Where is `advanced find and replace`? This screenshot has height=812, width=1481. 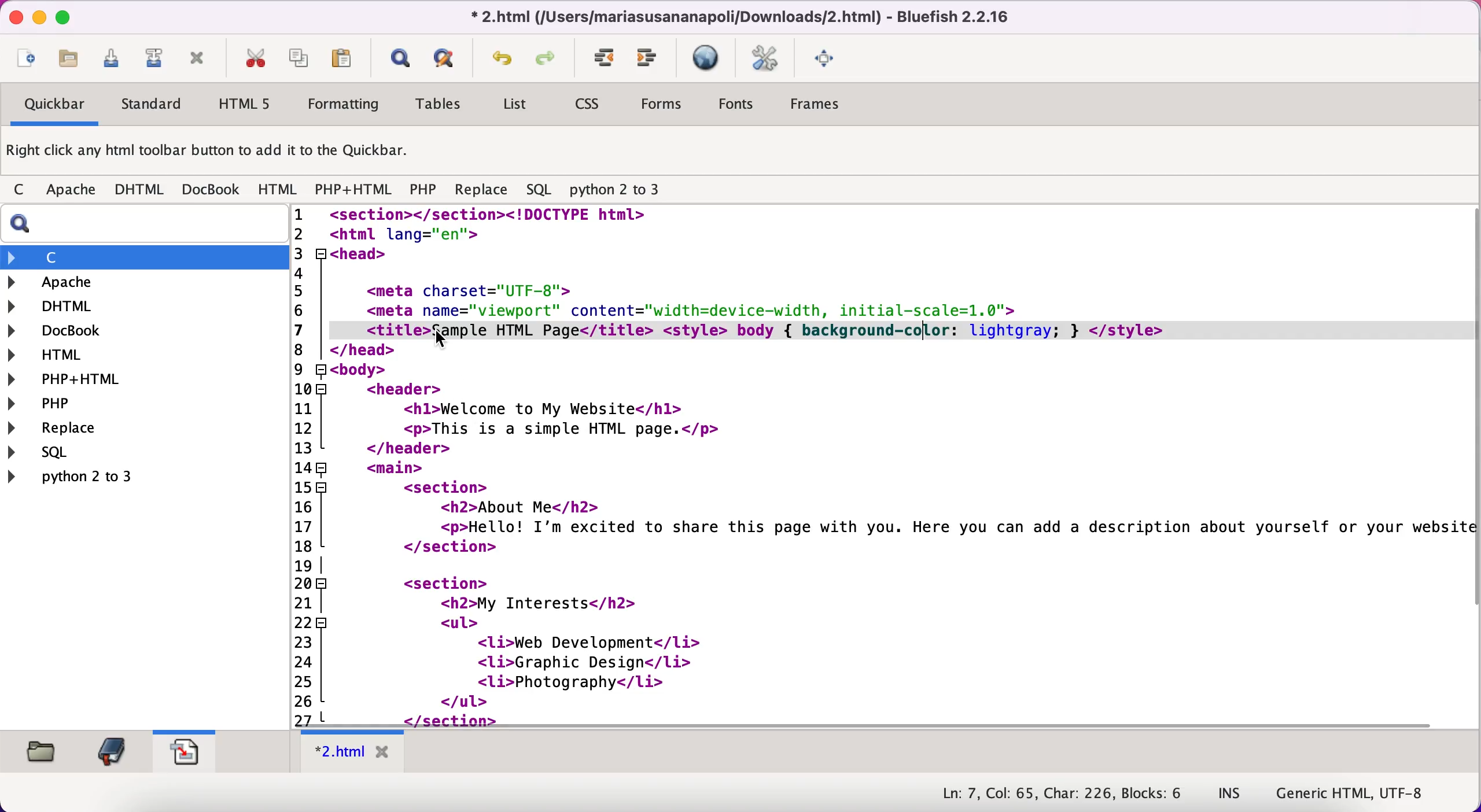
advanced find and replace is located at coordinates (447, 58).